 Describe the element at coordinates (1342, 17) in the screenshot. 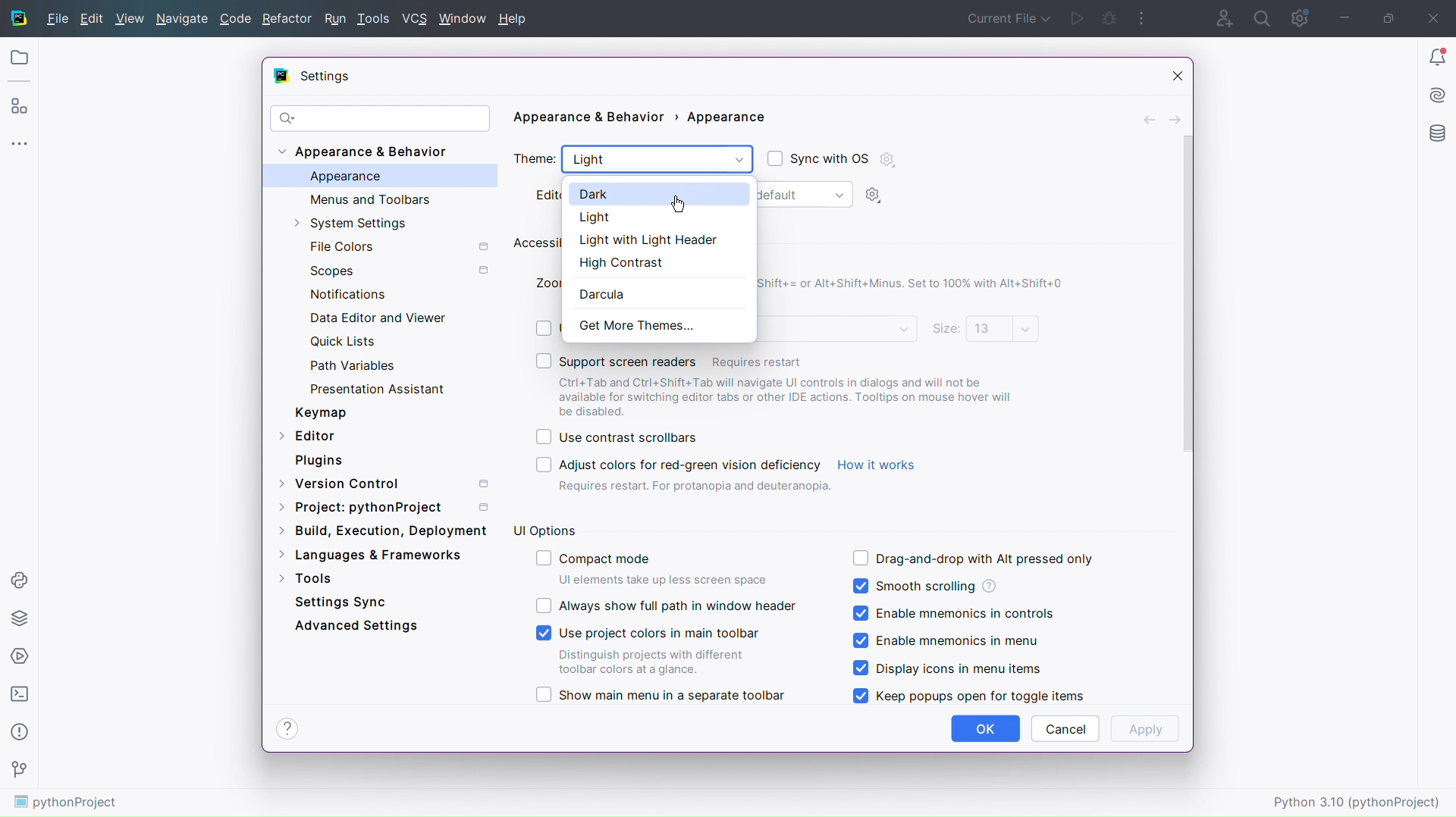

I see `Minimize` at that location.